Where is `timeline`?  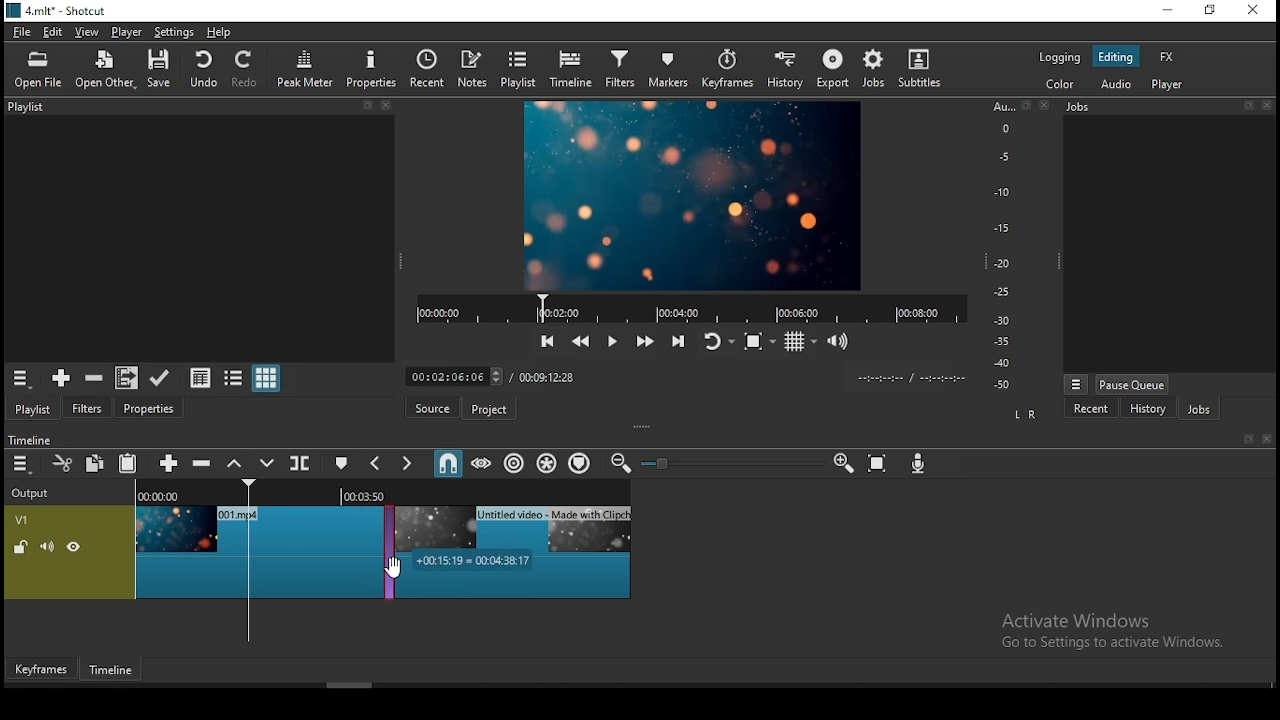
timeline is located at coordinates (570, 70).